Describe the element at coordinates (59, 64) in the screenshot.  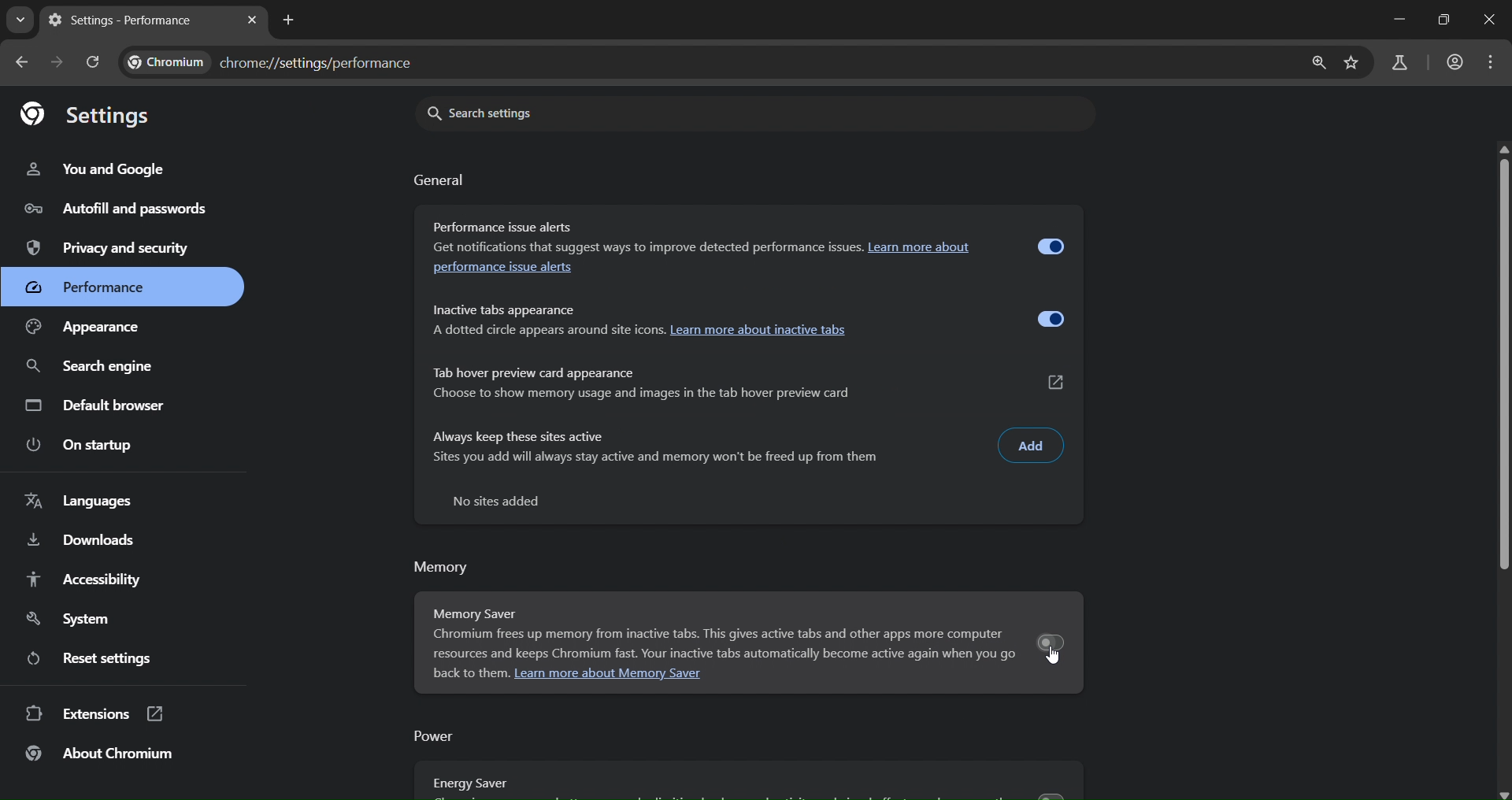
I see `go forward one page` at that location.